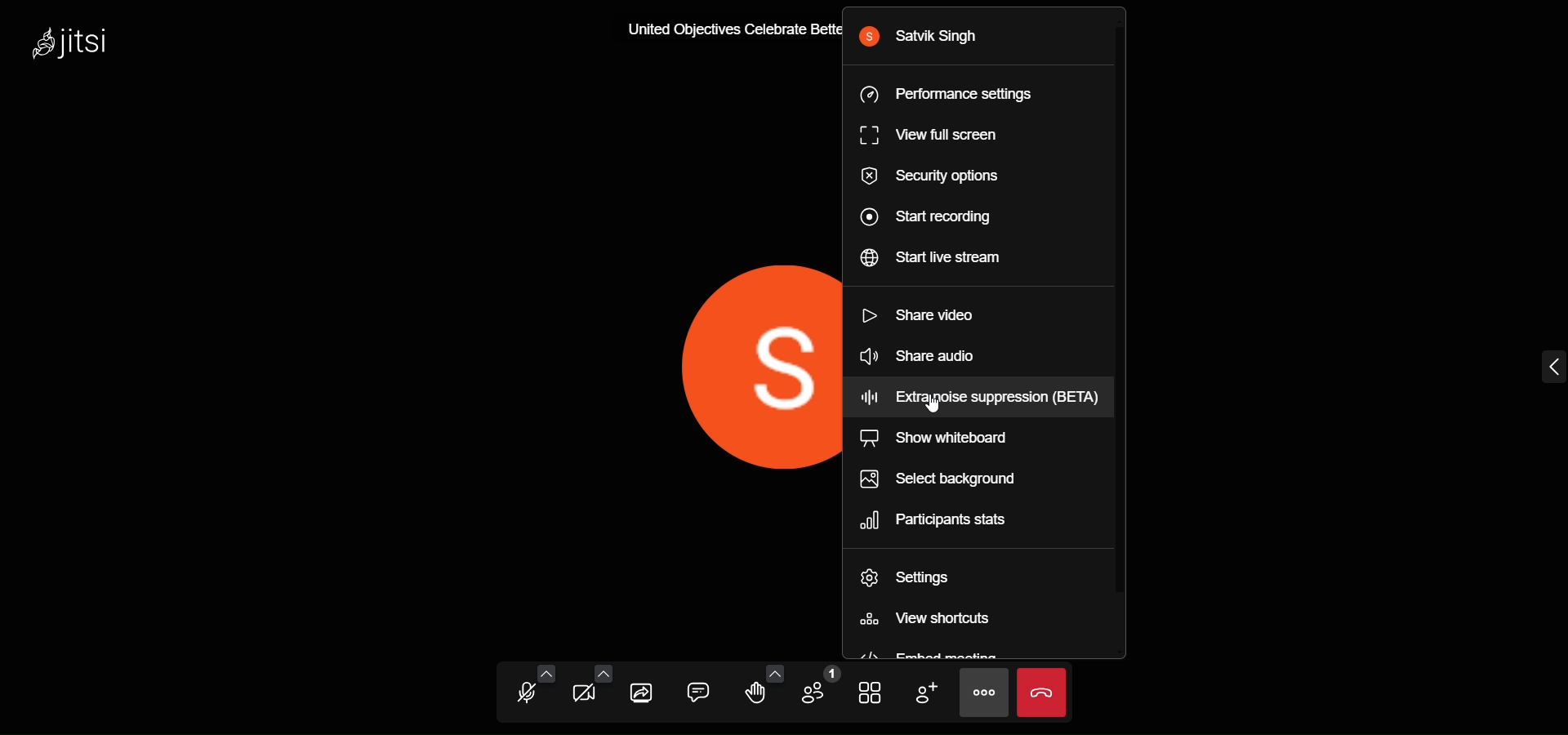  Describe the element at coordinates (959, 93) in the screenshot. I see `performance setting` at that location.